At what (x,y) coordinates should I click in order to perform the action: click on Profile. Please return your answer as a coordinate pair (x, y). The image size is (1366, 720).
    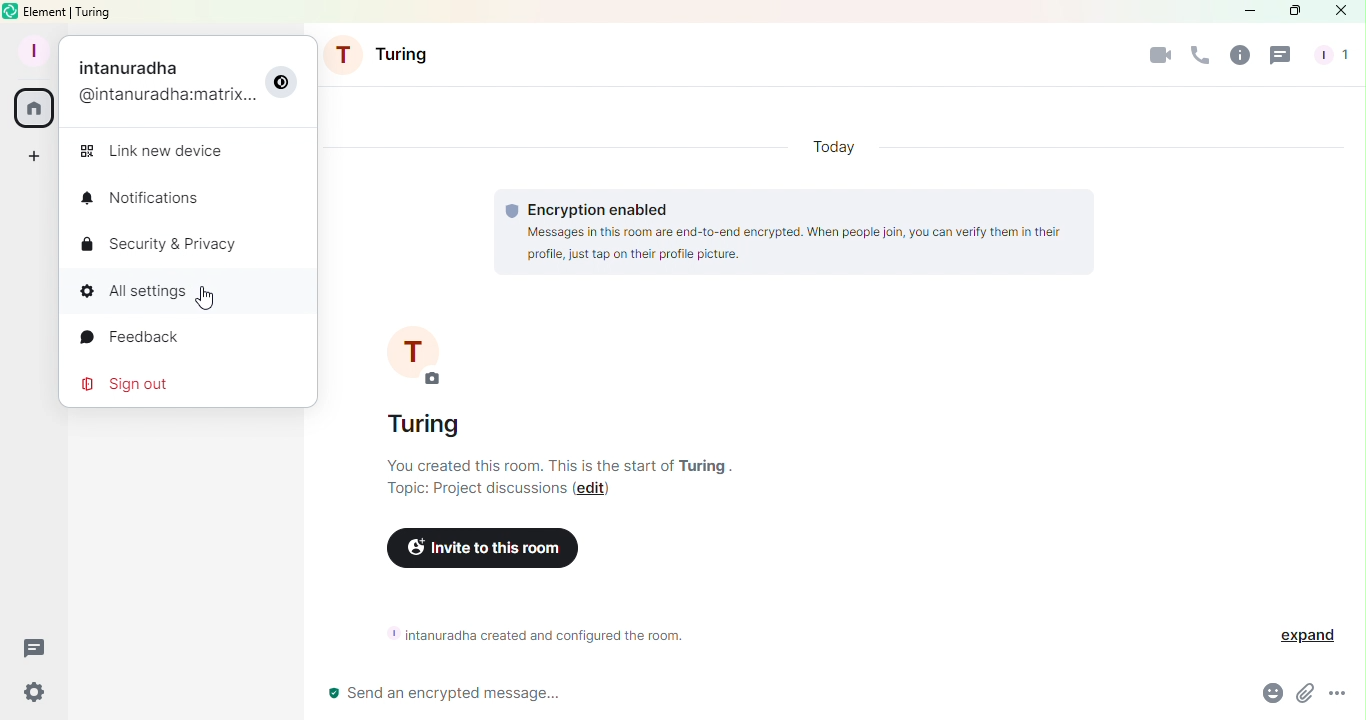
    Looking at the image, I should click on (31, 49).